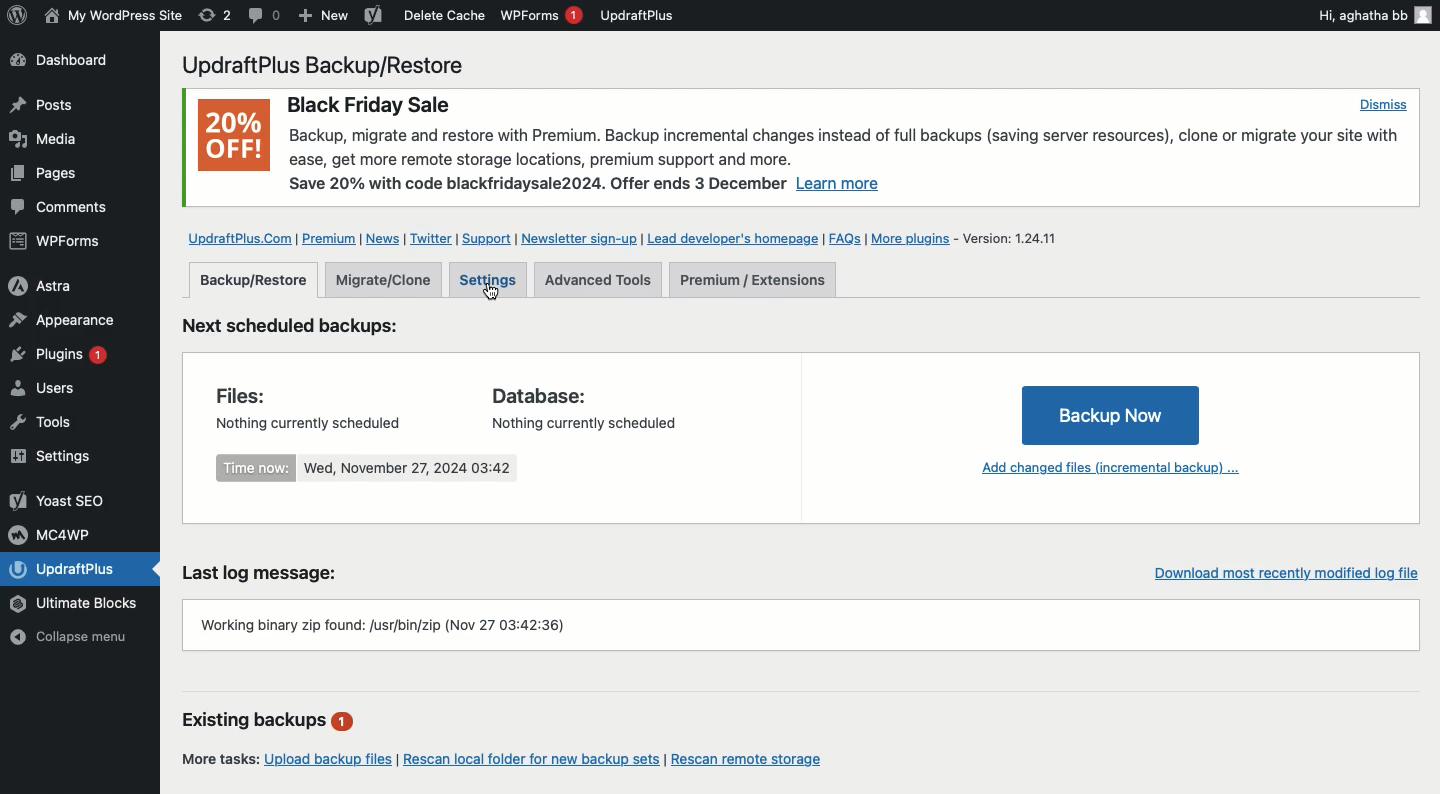 The height and width of the screenshot is (794, 1440). I want to click on Version 1.24.11, so click(1018, 237).